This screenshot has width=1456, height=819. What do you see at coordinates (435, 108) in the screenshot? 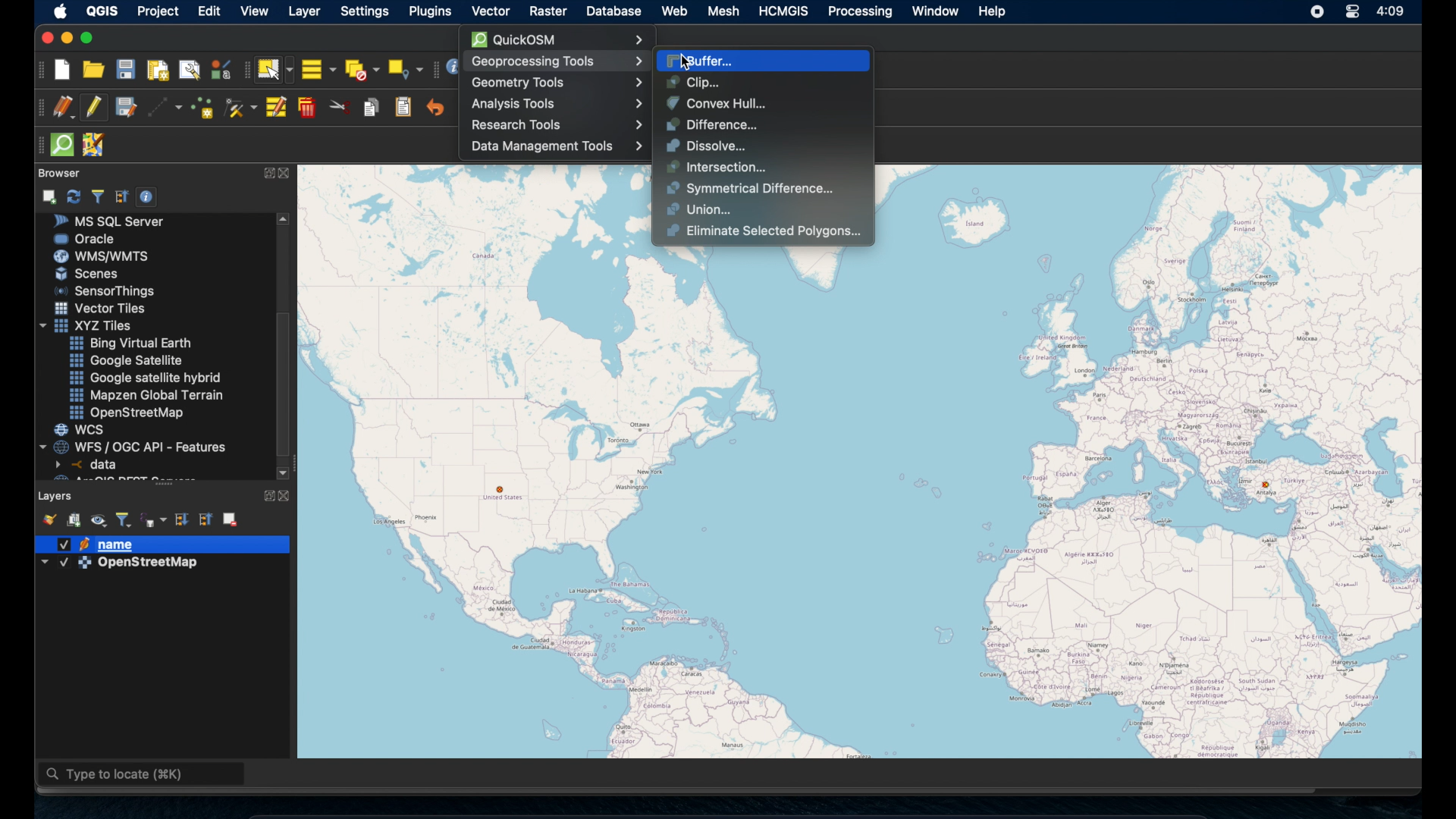
I see `undo` at bounding box center [435, 108].